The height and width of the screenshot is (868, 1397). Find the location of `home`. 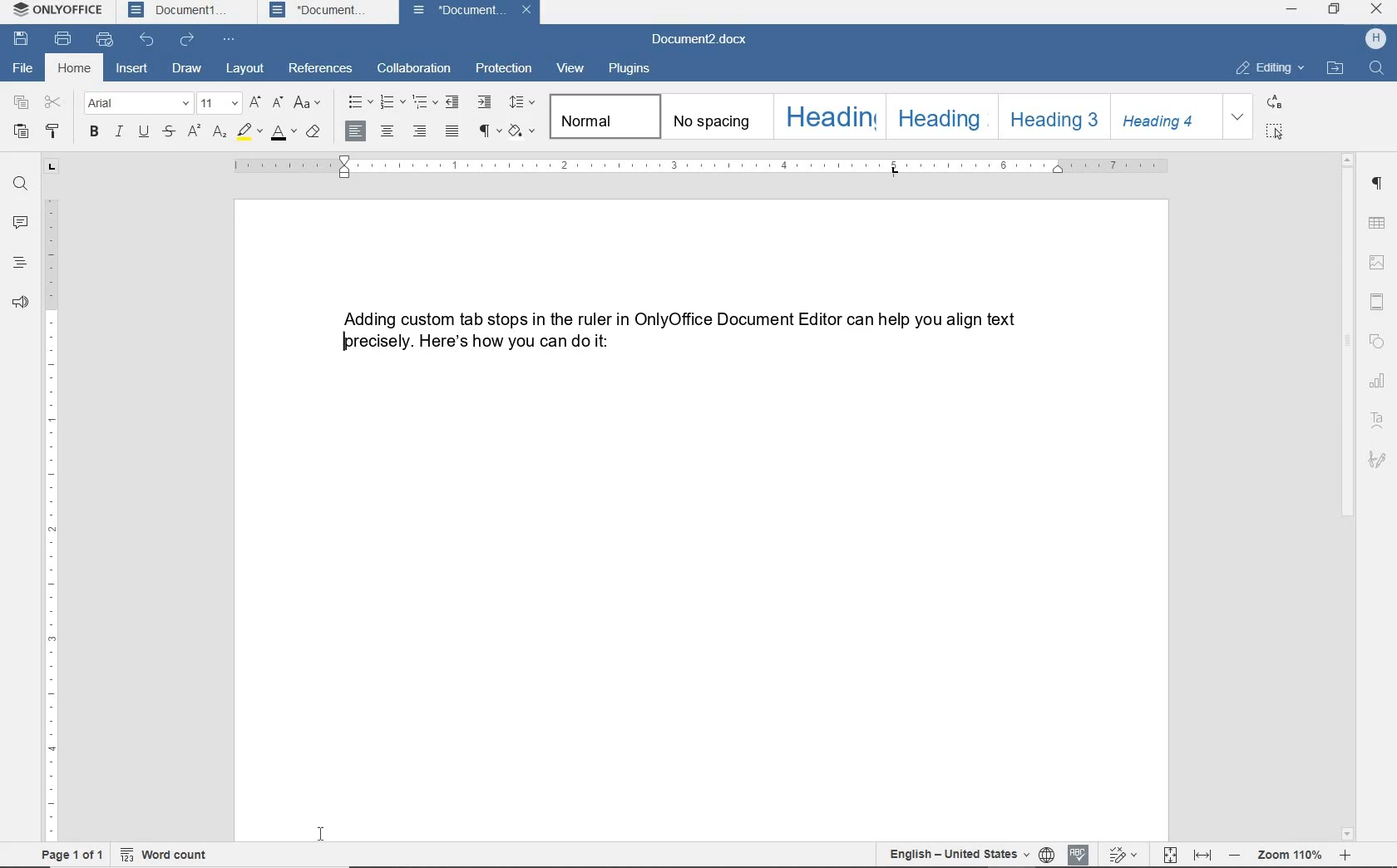

home is located at coordinates (74, 69).